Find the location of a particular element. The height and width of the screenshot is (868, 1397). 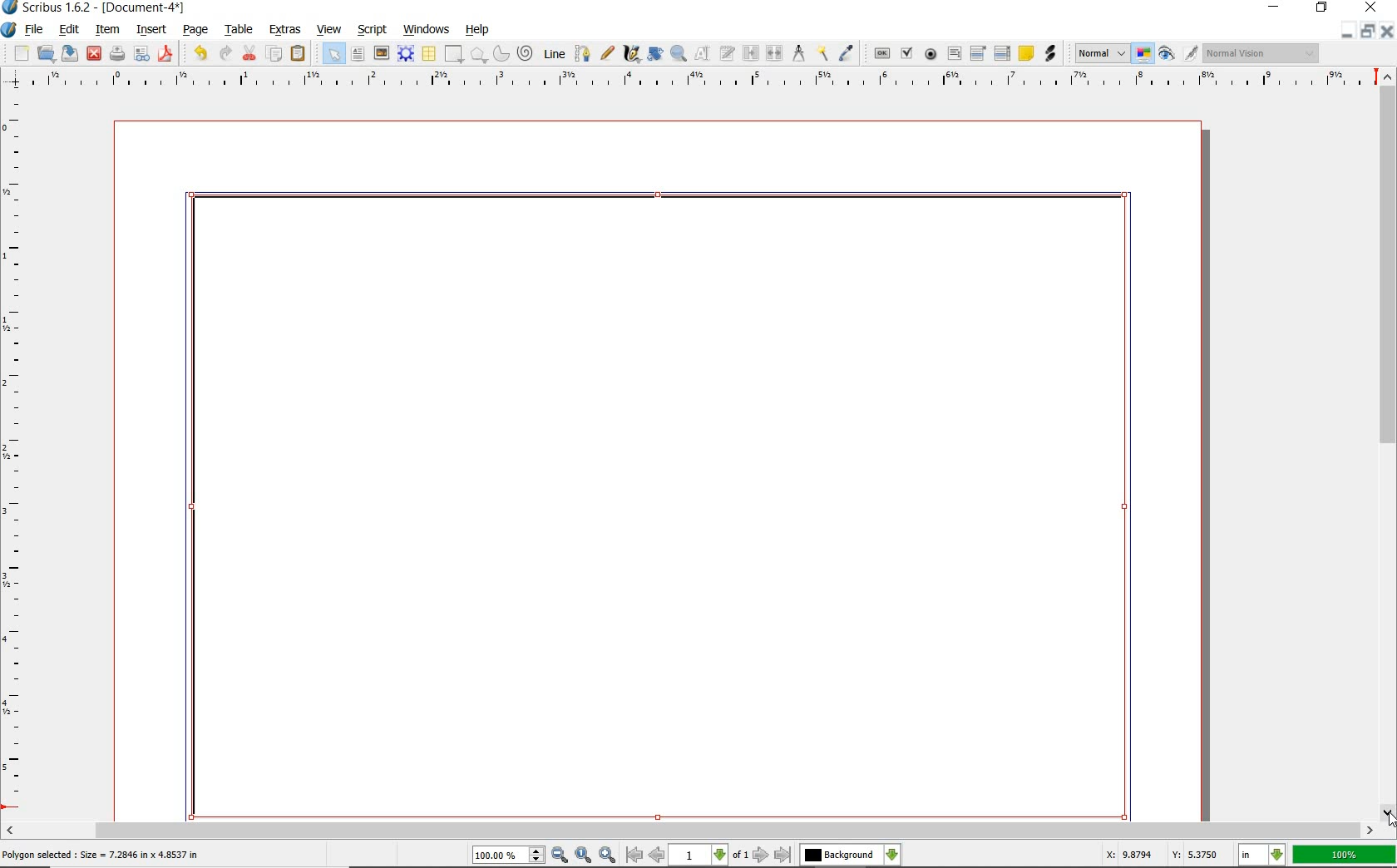

close is located at coordinates (1388, 31).